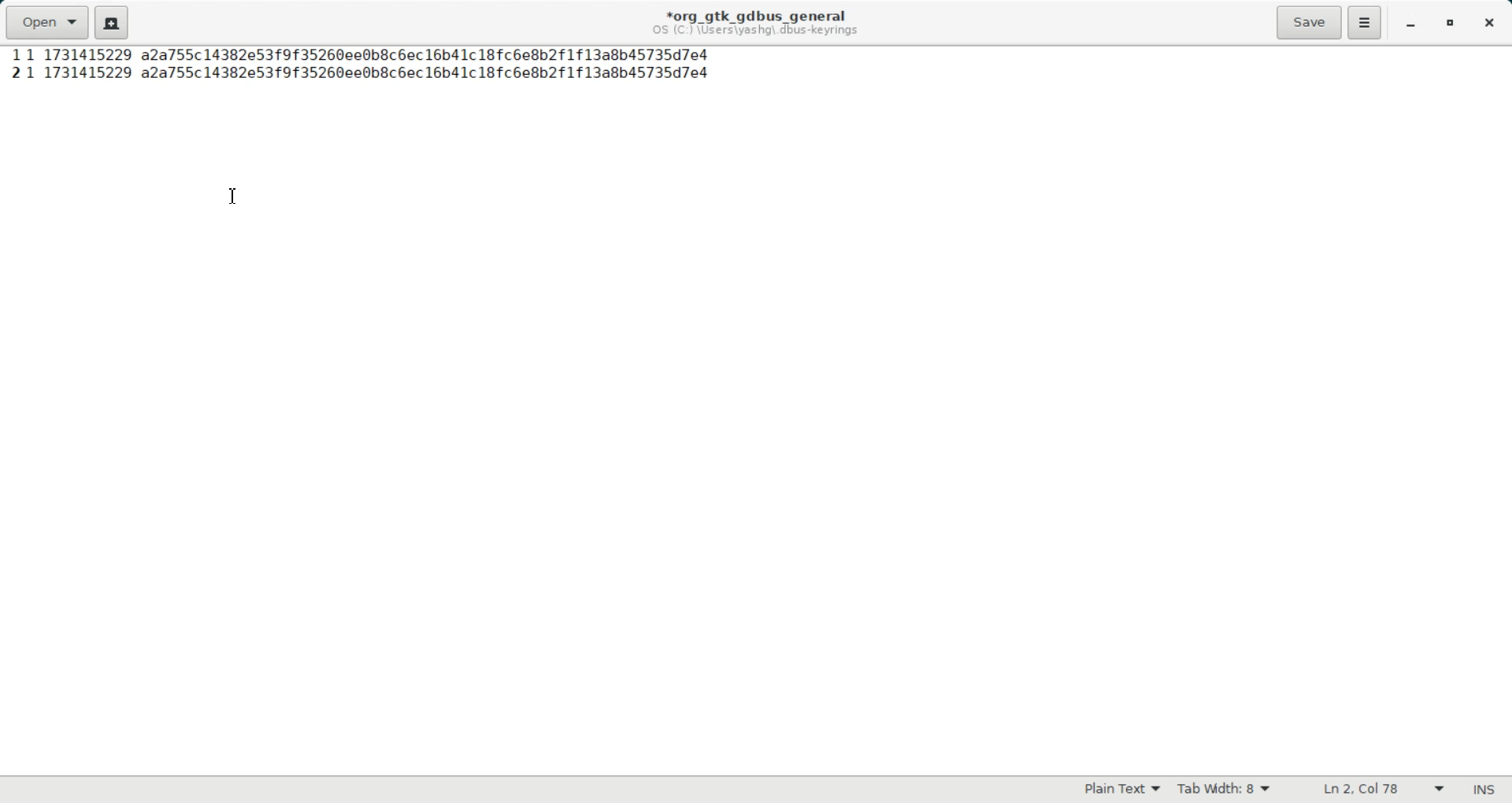 This screenshot has width=1512, height=803. Describe the element at coordinates (1368, 790) in the screenshot. I see `Text Wrapping` at that location.